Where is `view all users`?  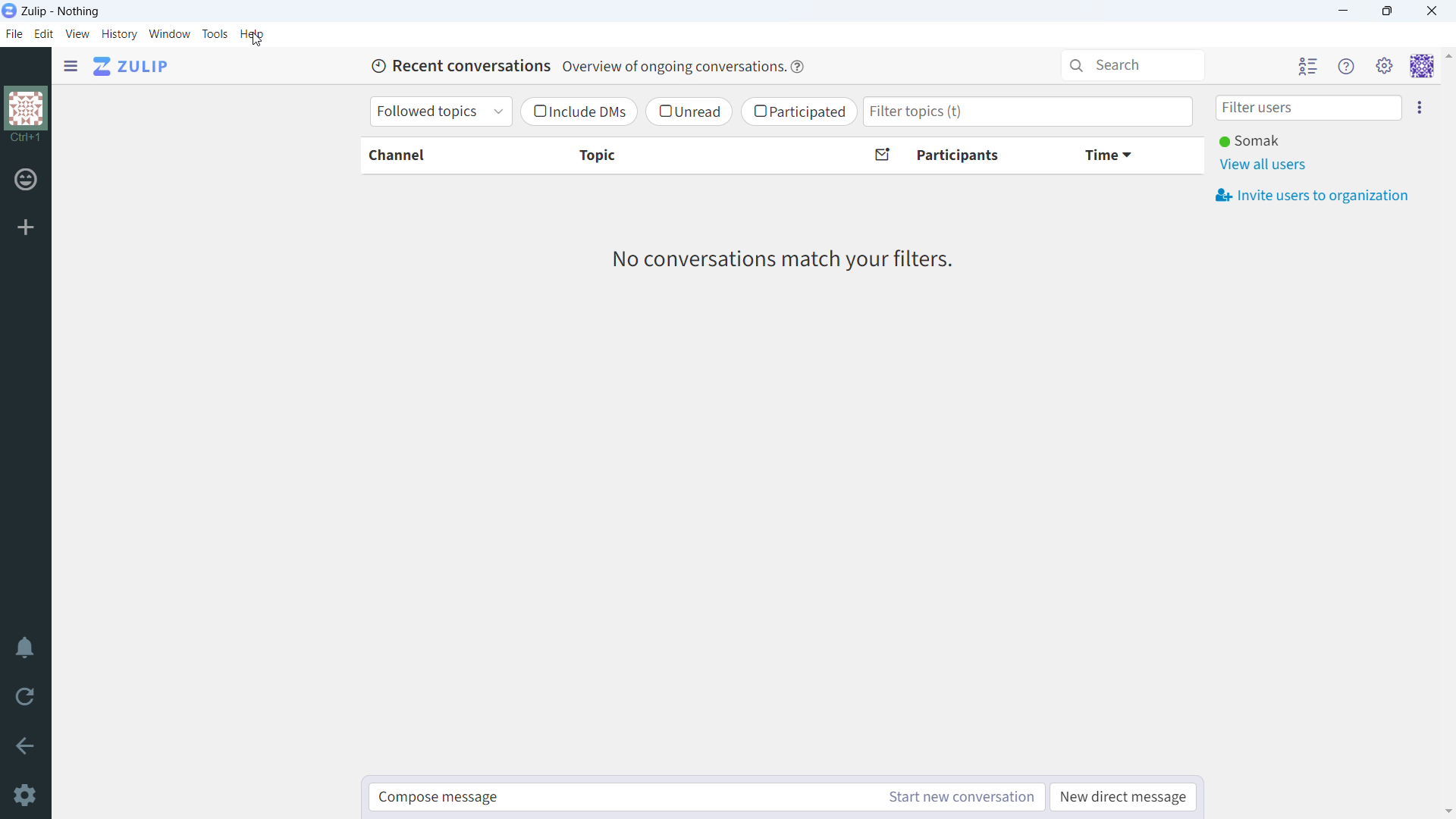 view all users is located at coordinates (1264, 165).